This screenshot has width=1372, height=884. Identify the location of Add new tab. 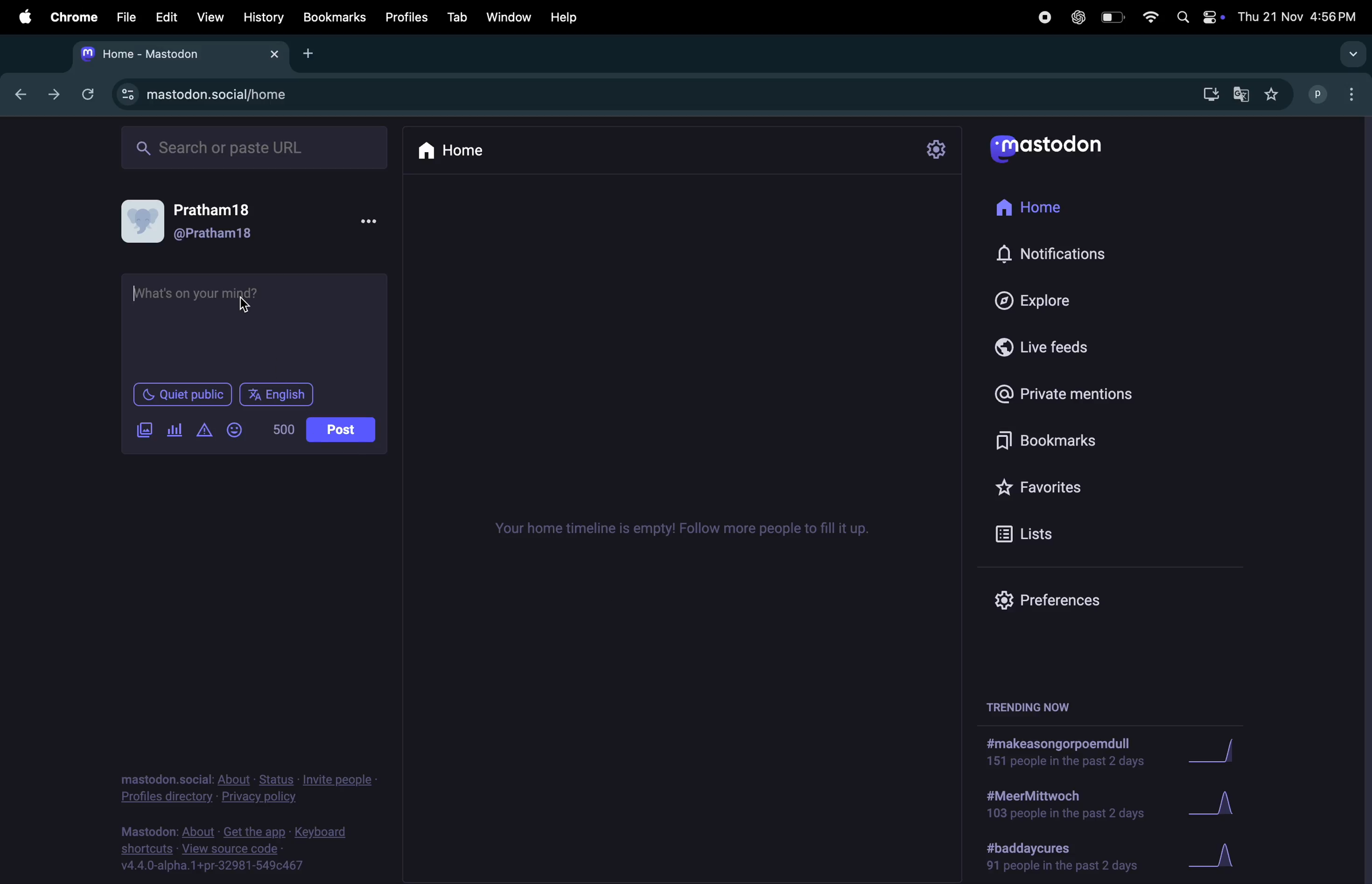
(309, 53).